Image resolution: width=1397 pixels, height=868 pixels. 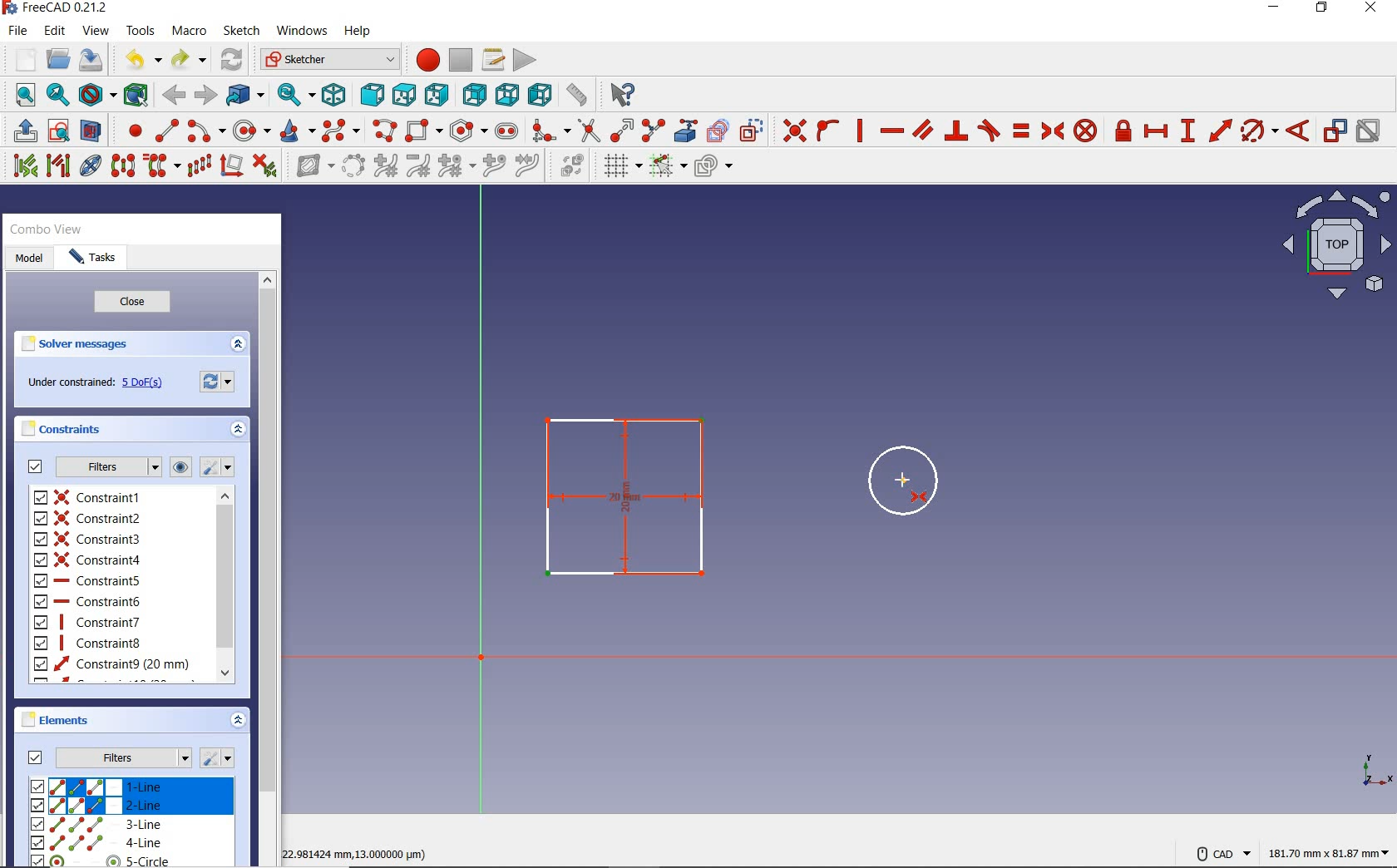 I want to click on constraint6, so click(x=87, y=601).